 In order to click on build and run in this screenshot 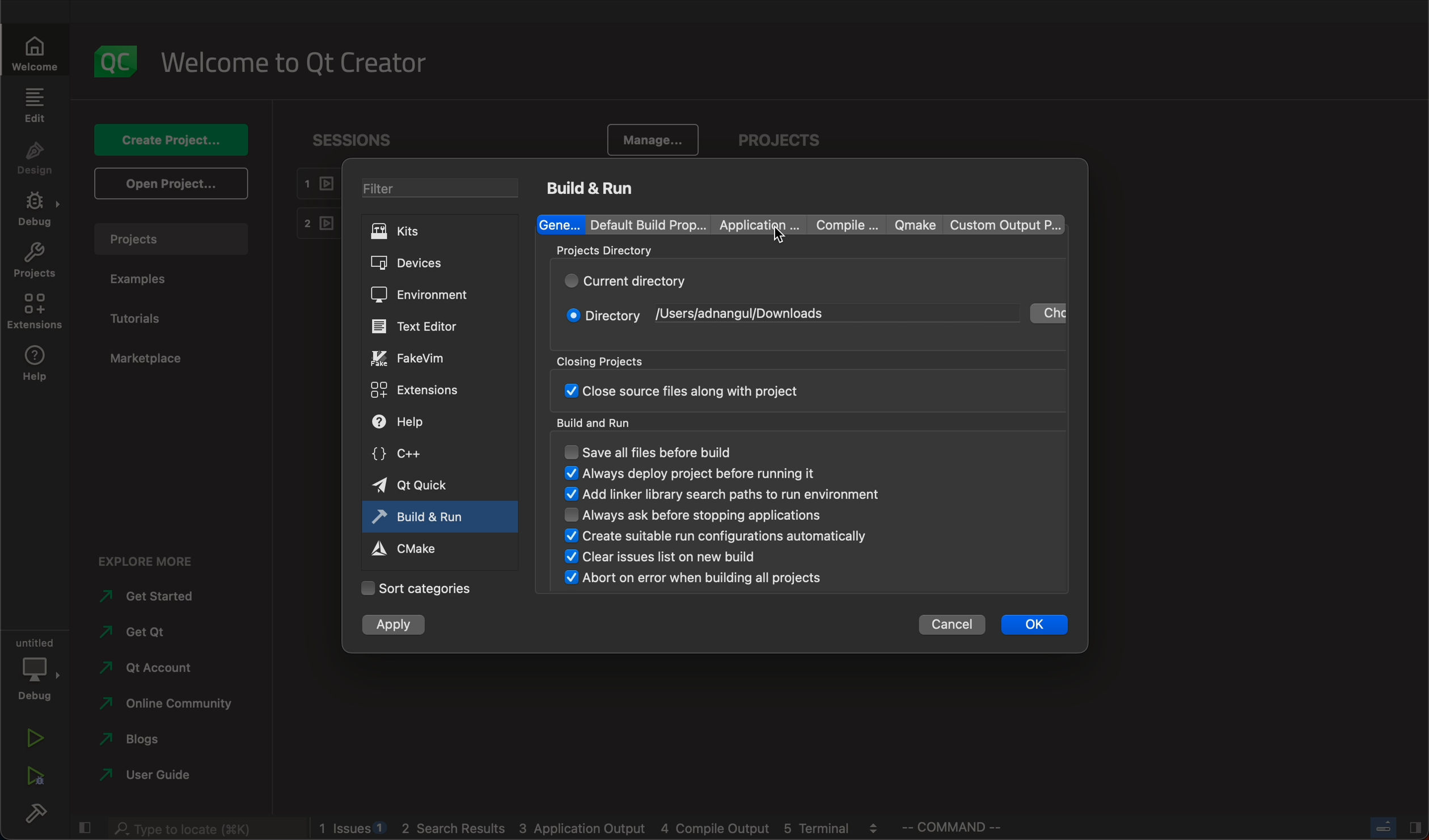, I will do `click(594, 187)`.